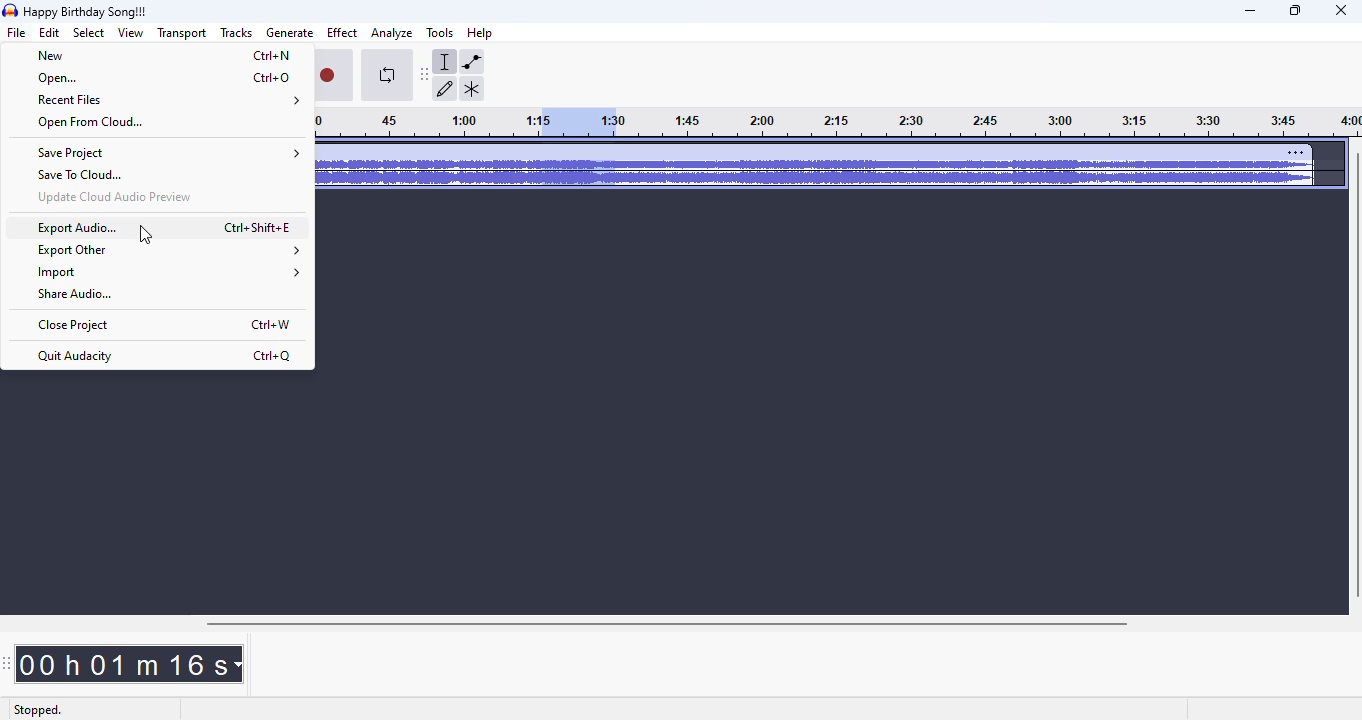 The width and height of the screenshot is (1362, 720). I want to click on open, so click(59, 79).